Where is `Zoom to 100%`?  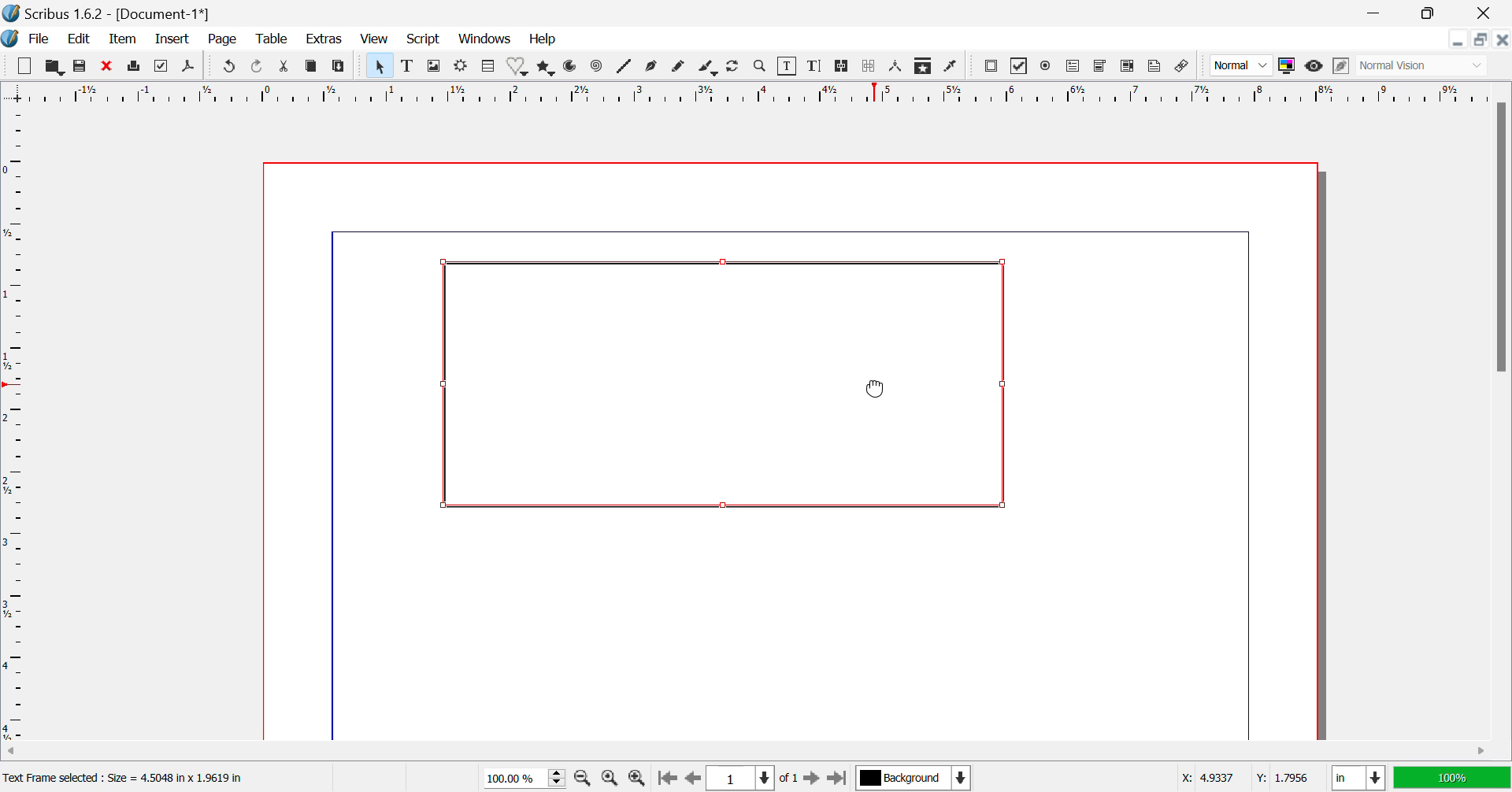 Zoom to 100% is located at coordinates (610, 779).